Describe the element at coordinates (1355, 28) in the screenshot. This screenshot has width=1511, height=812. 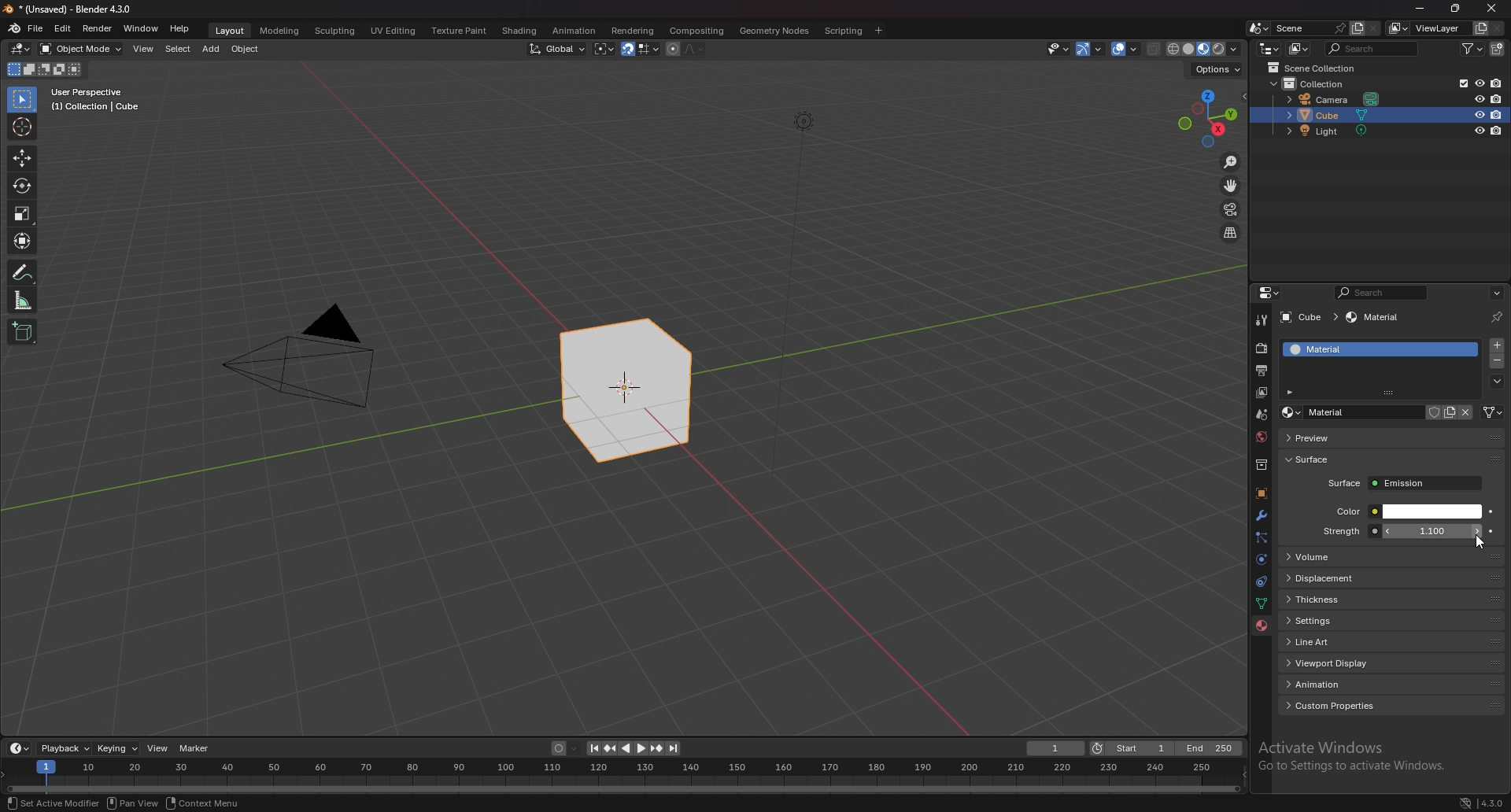
I see `add scene` at that location.